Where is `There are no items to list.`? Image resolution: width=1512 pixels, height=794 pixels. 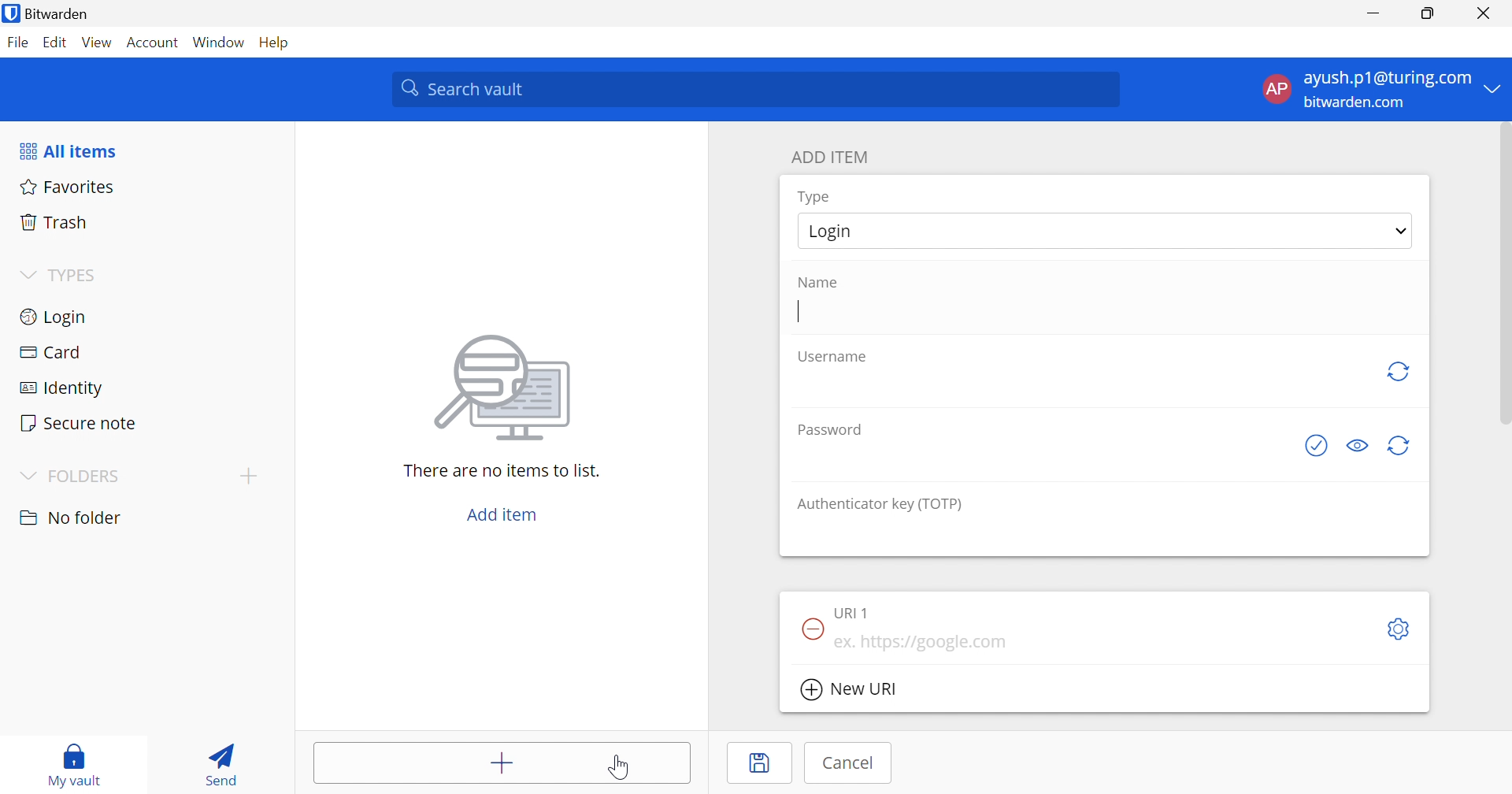 There are no items to list. is located at coordinates (503, 469).